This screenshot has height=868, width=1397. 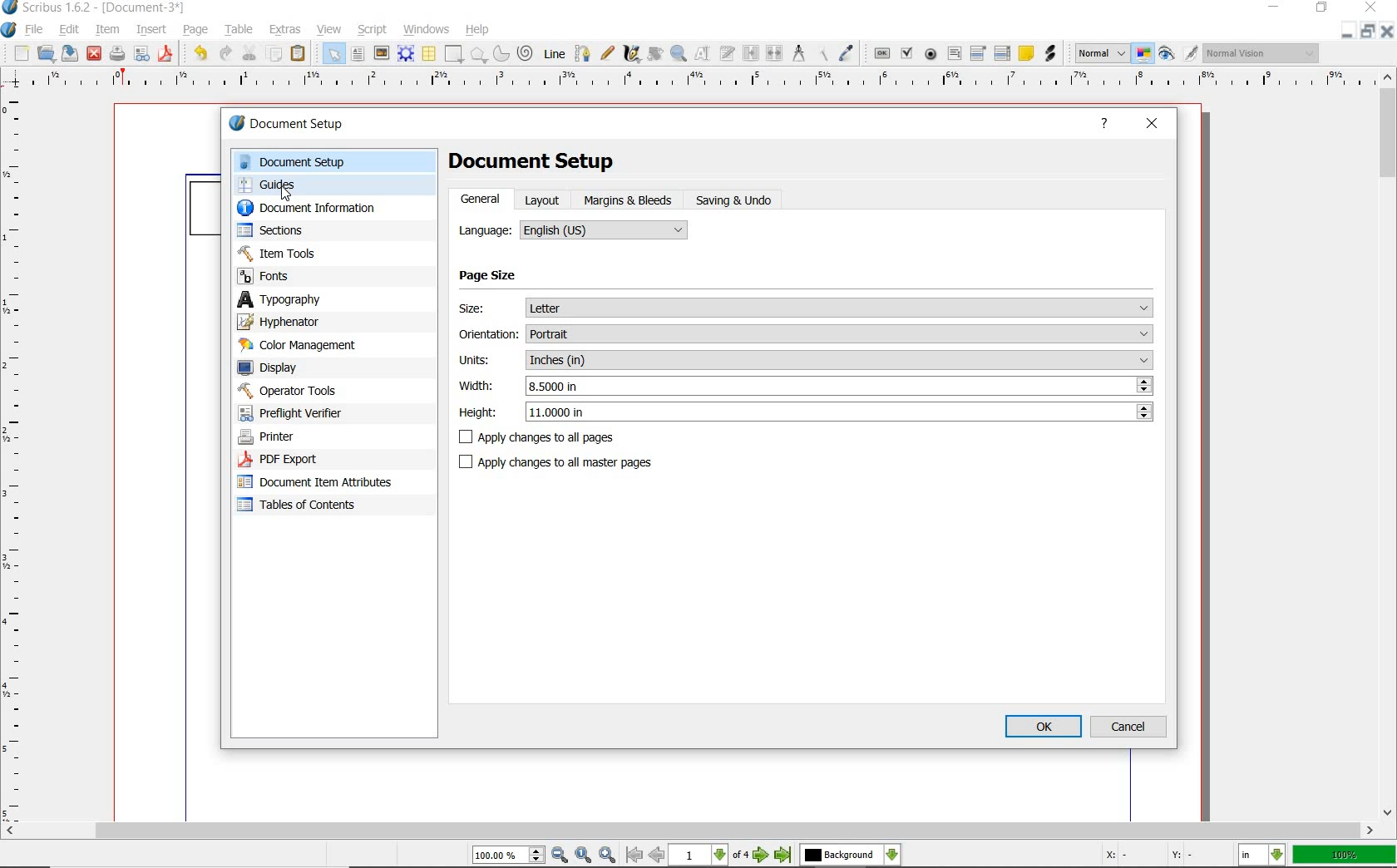 I want to click on scrollbar, so click(x=689, y=832).